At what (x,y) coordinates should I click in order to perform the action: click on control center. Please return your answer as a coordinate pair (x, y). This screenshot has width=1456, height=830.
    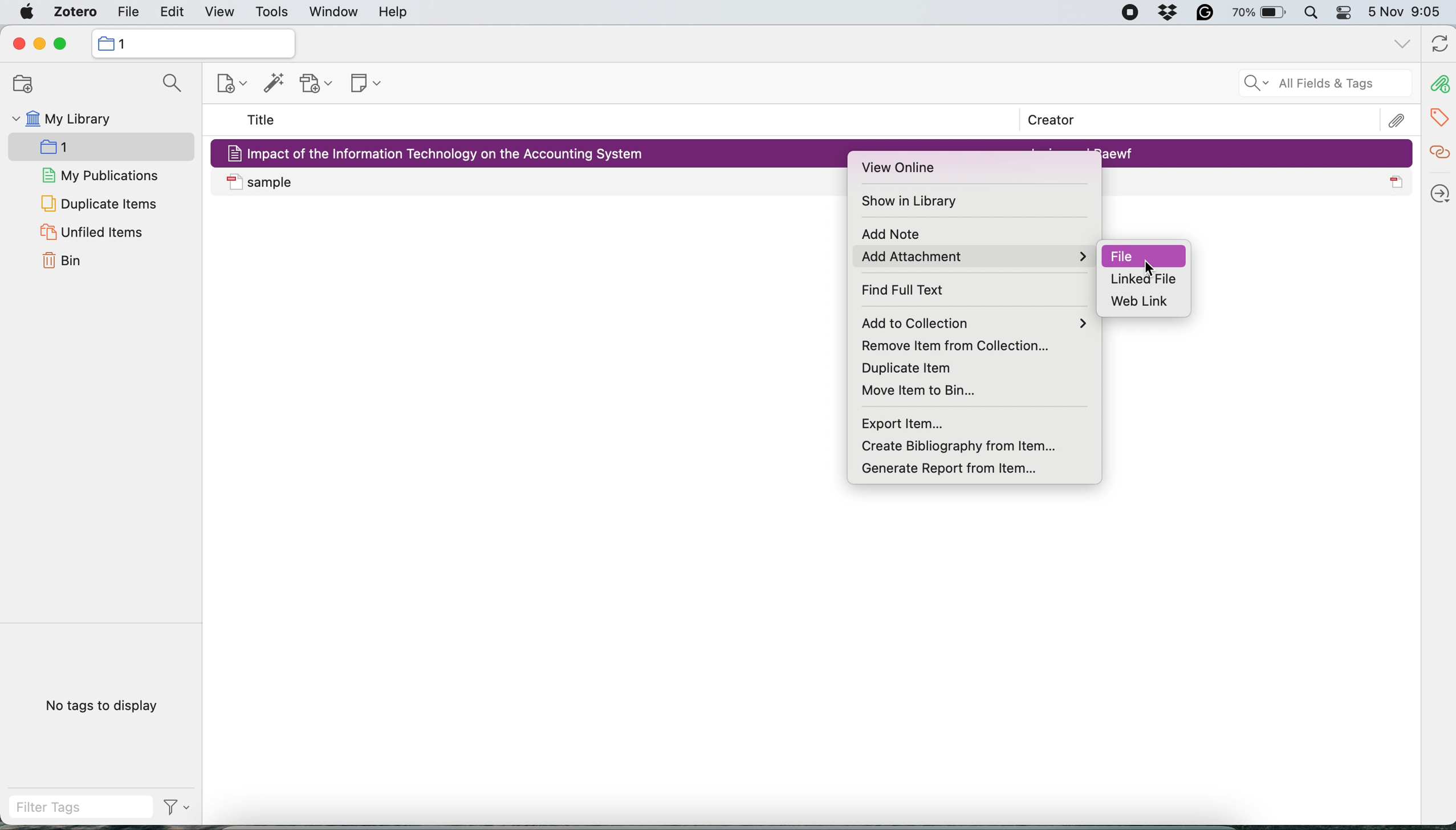
    Looking at the image, I should click on (1344, 15).